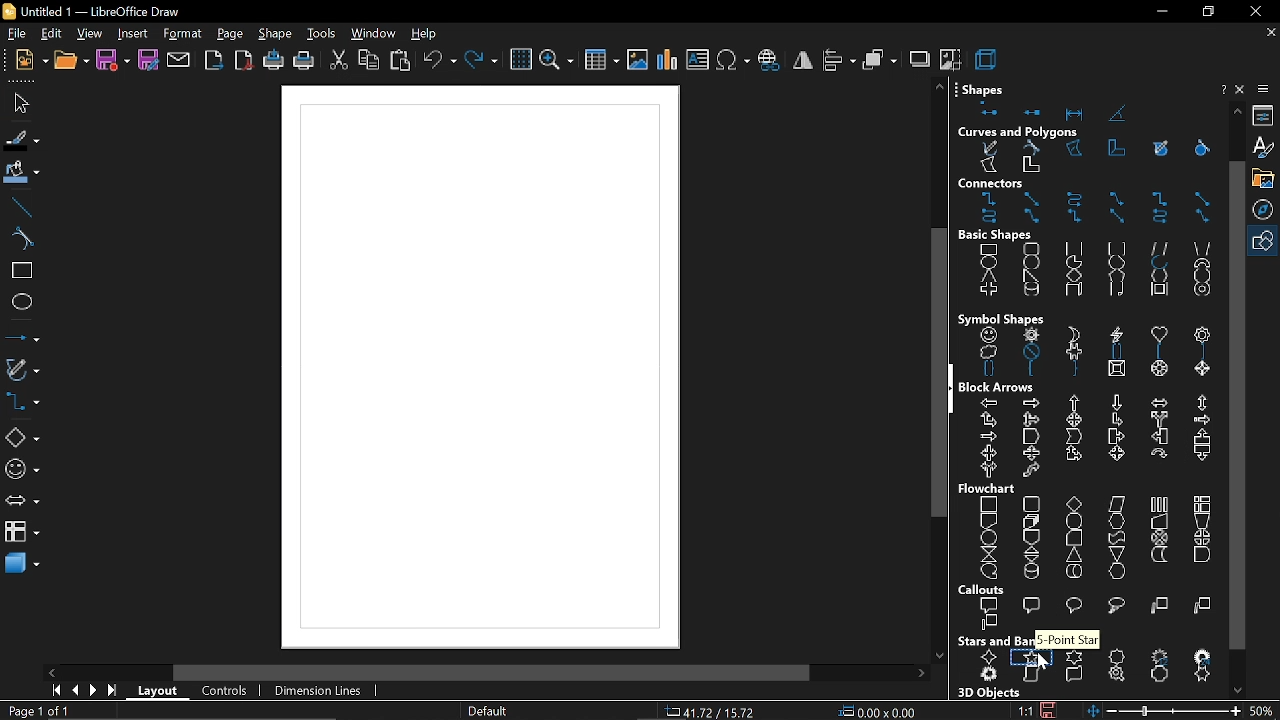  I want to click on line color, so click(20, 138).